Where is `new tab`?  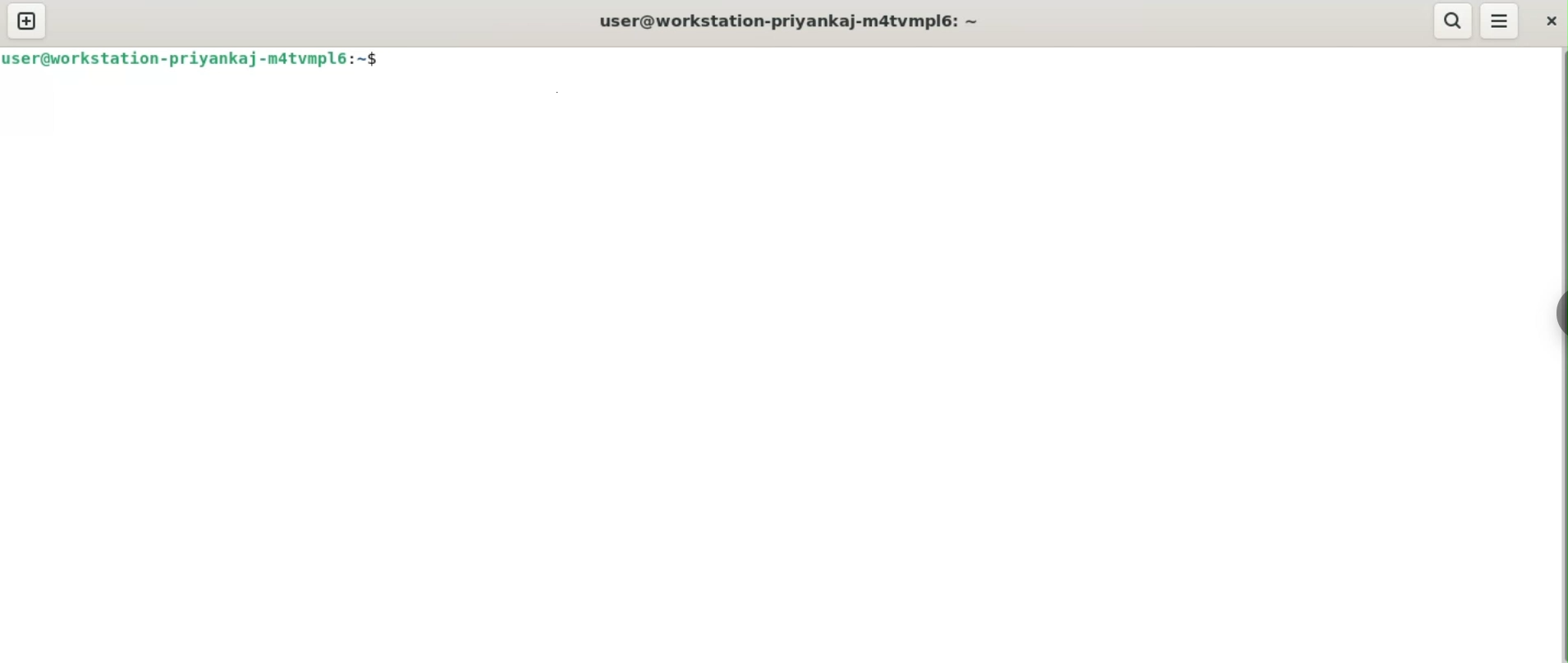 new tab is located at coordinates (28, 22).